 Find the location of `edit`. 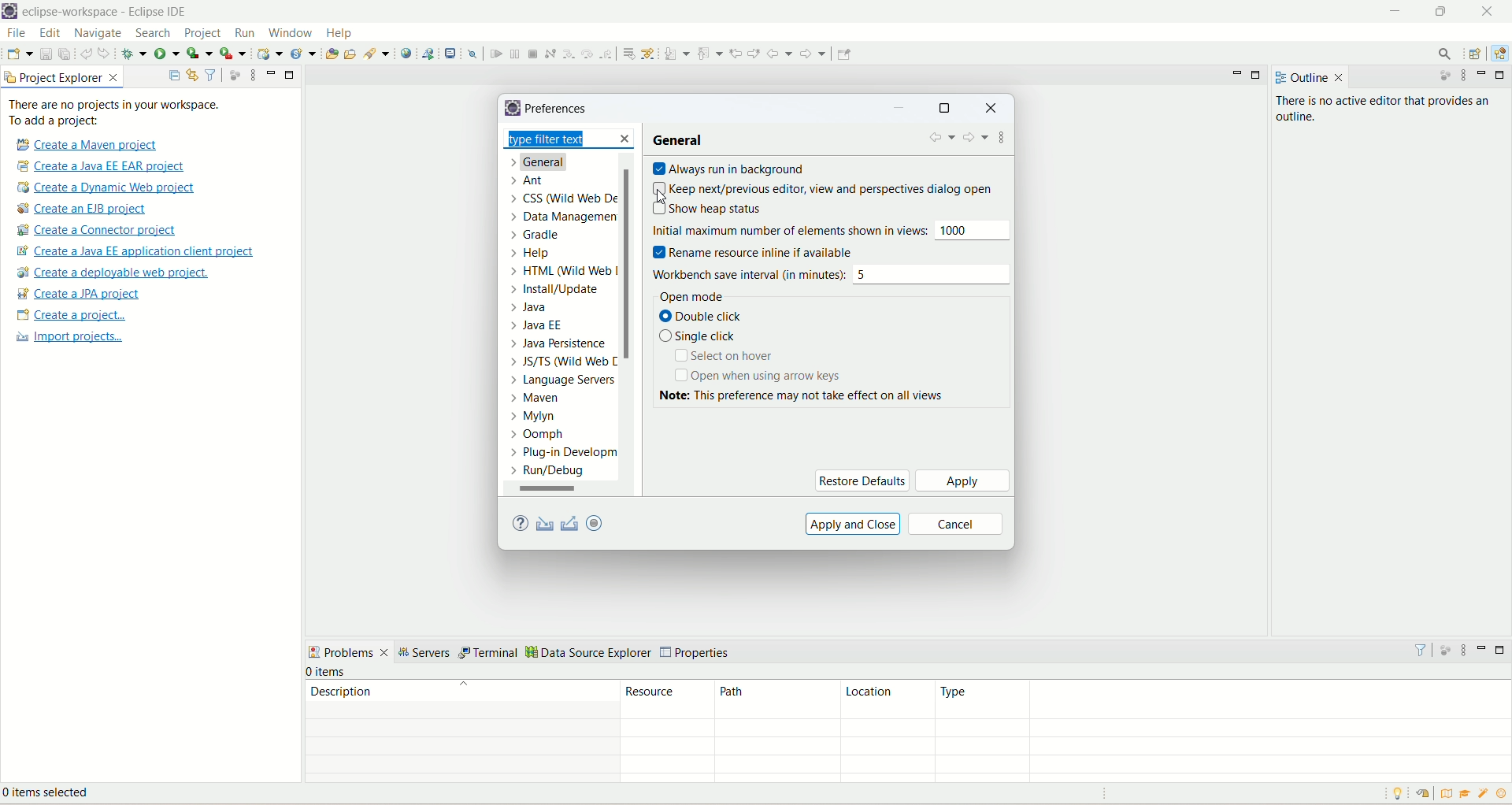

edit is located at coordinates (50, 34).